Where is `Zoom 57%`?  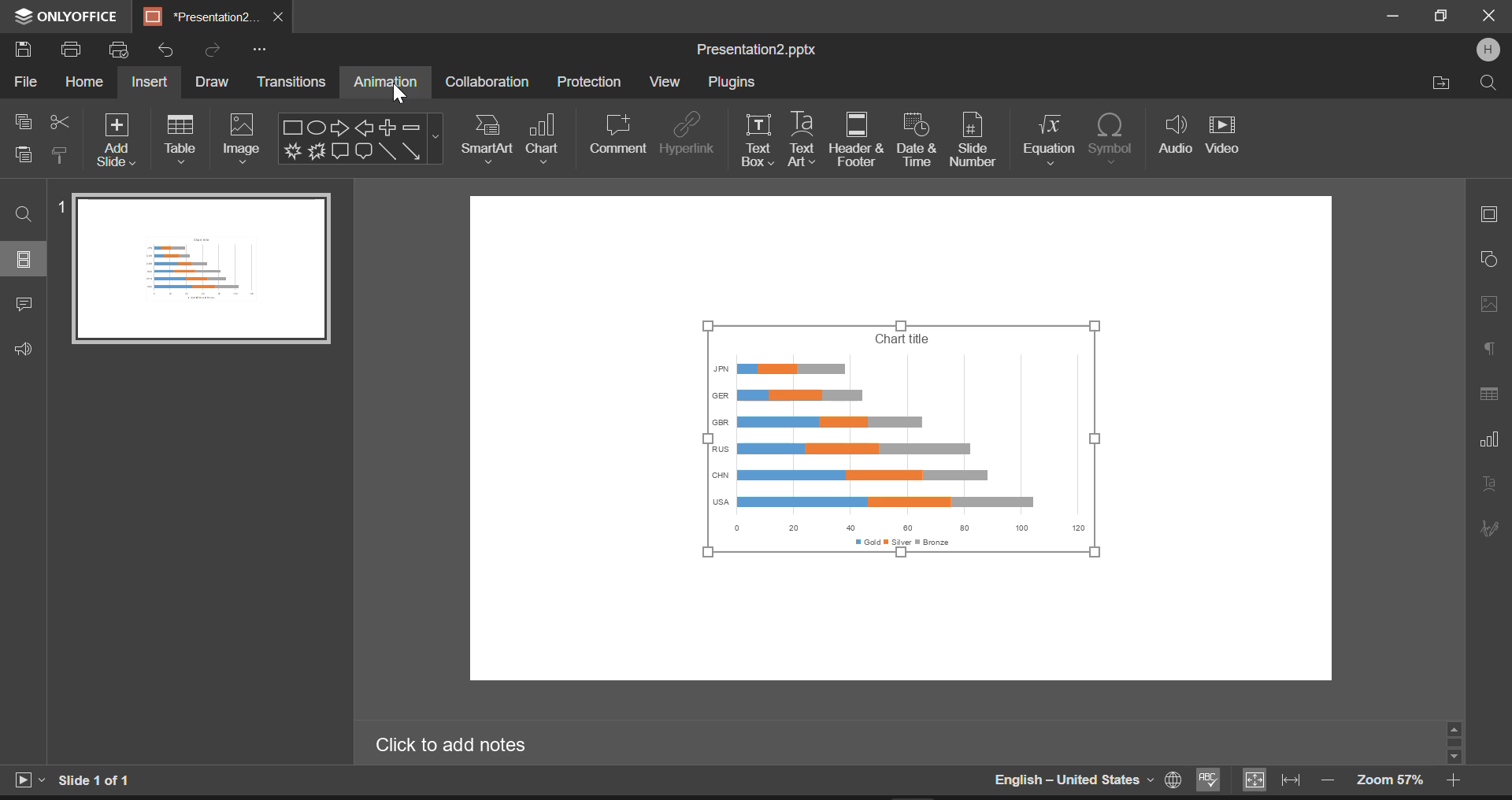
Zoom 57% is located at coordinates (1390, 780).